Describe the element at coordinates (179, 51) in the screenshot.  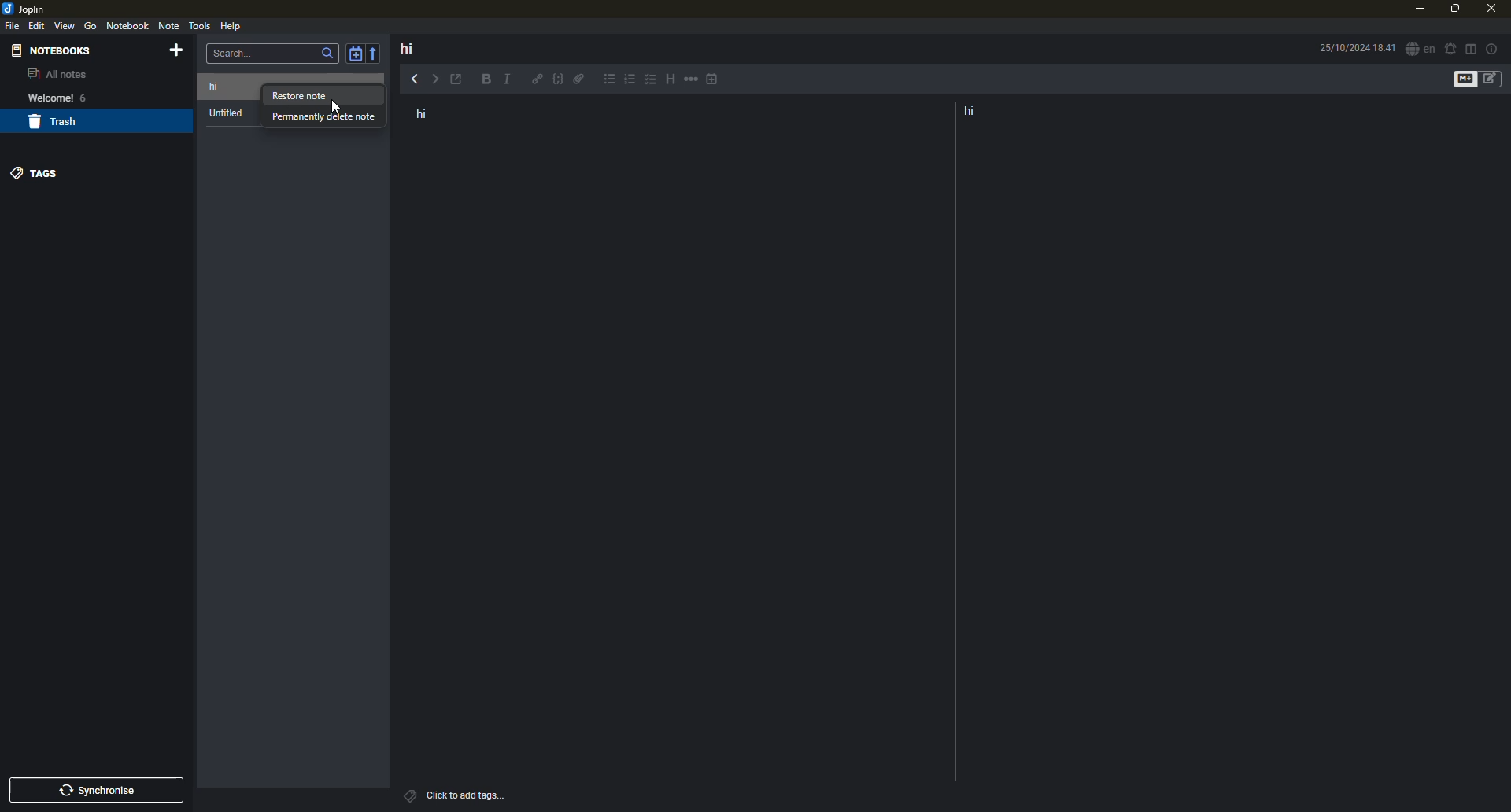
I see `add notebook` at that location.